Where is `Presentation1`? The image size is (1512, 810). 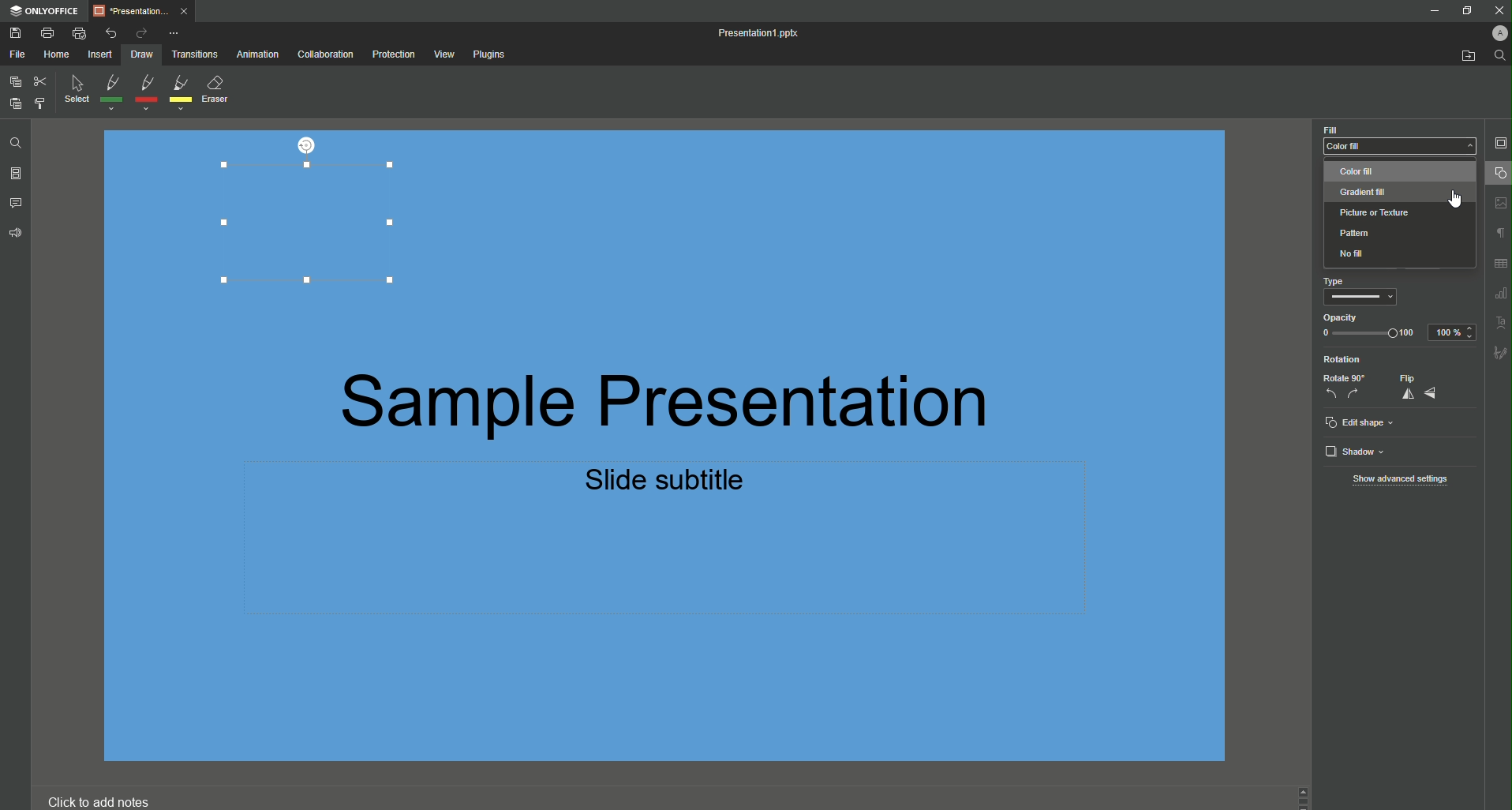
Presentation1 is located at coordinates (765, 33).